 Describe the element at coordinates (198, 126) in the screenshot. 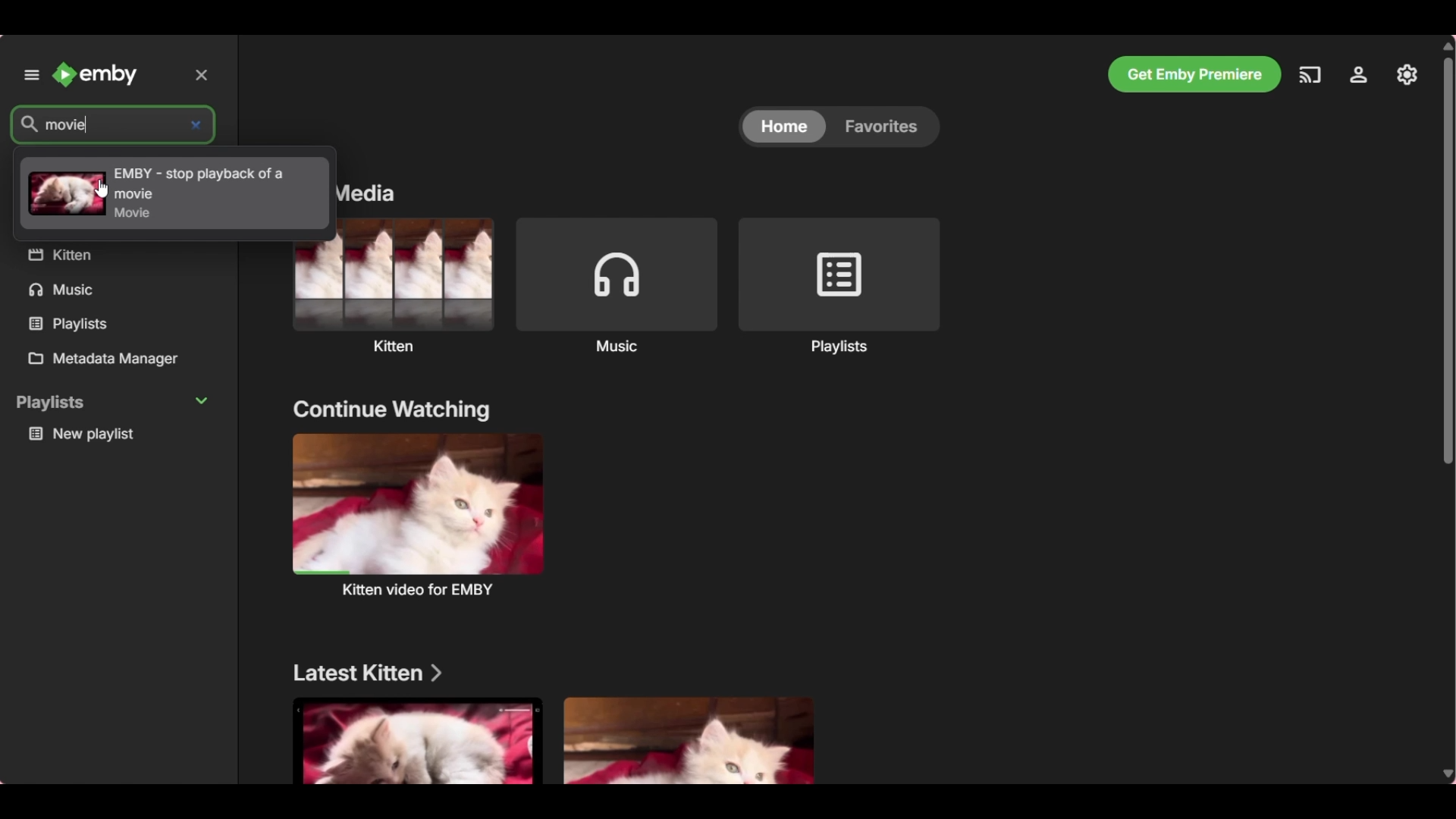

I see `close` at that location.